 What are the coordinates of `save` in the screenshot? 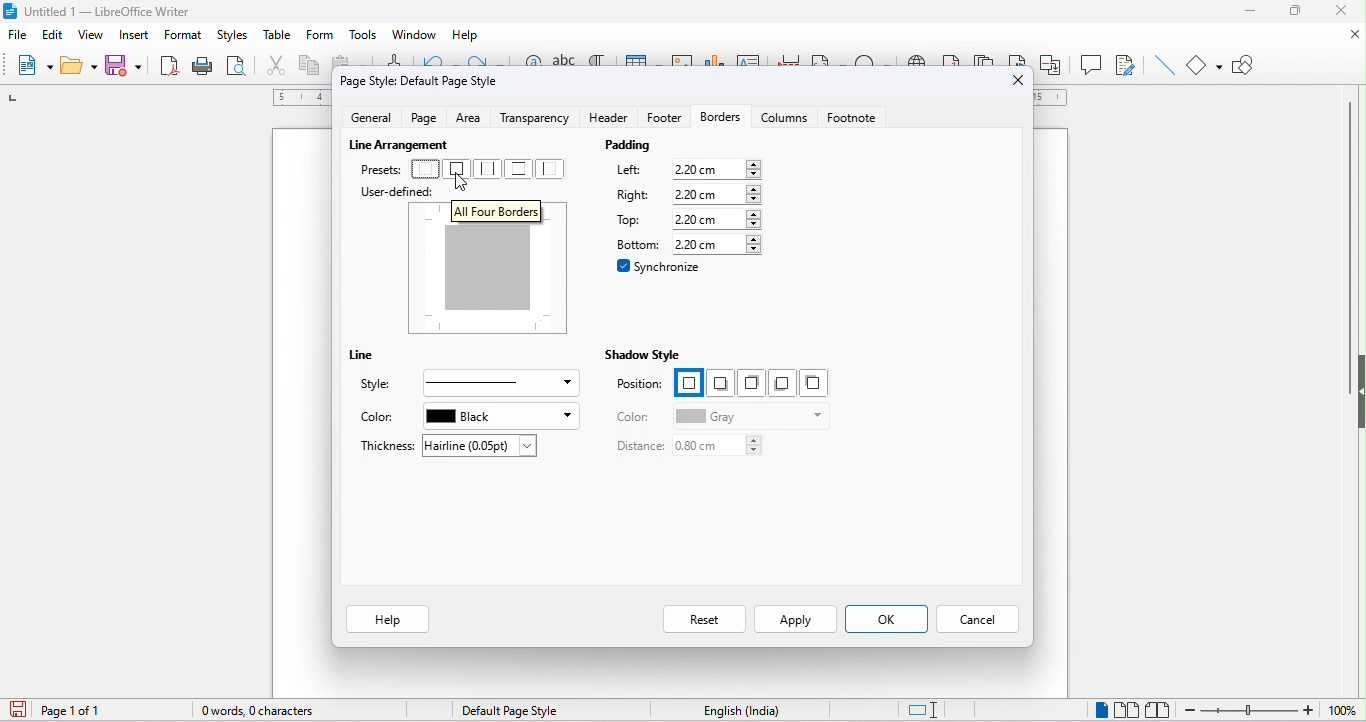 It's located at (125, 65).